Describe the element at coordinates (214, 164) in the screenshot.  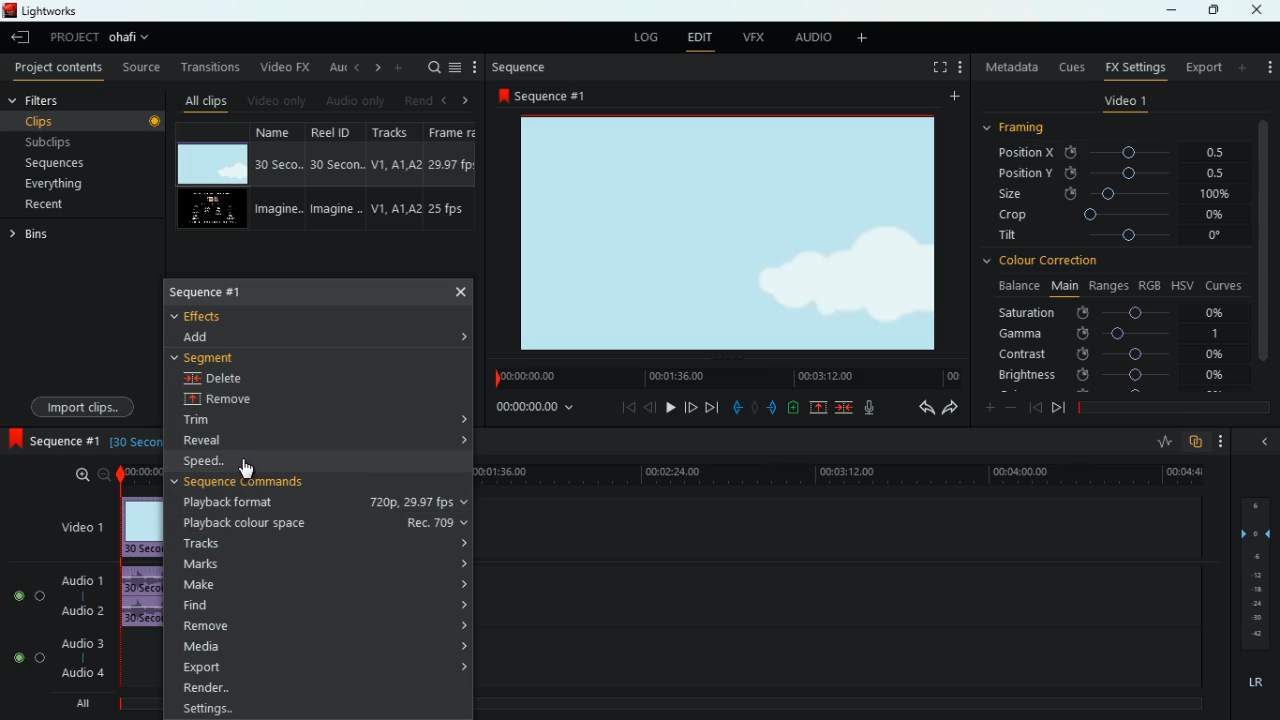
I see `video` at that location.